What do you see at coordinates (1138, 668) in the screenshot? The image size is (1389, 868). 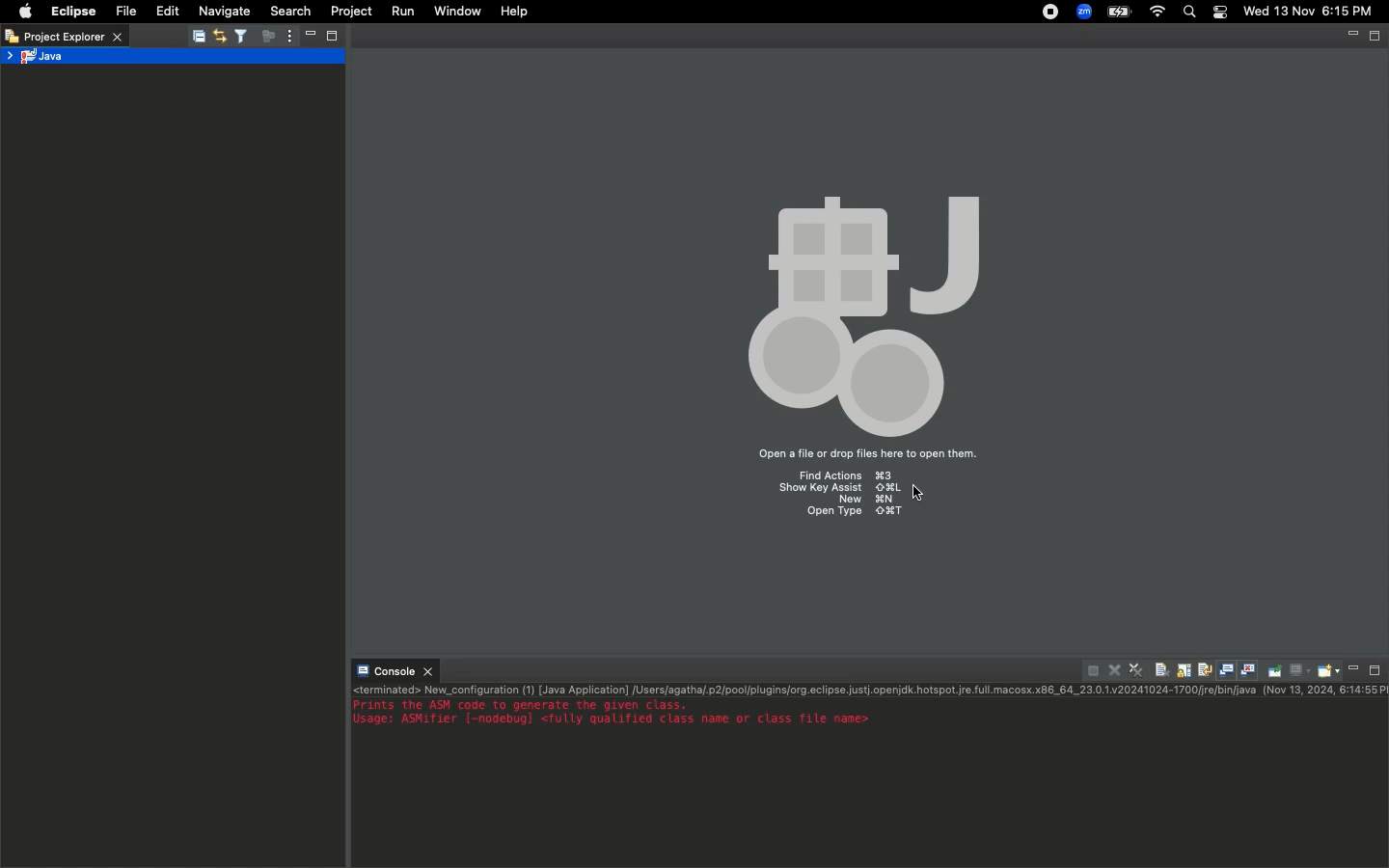 I see `Remove all terminated launches` at bounding box center [1138, 668].